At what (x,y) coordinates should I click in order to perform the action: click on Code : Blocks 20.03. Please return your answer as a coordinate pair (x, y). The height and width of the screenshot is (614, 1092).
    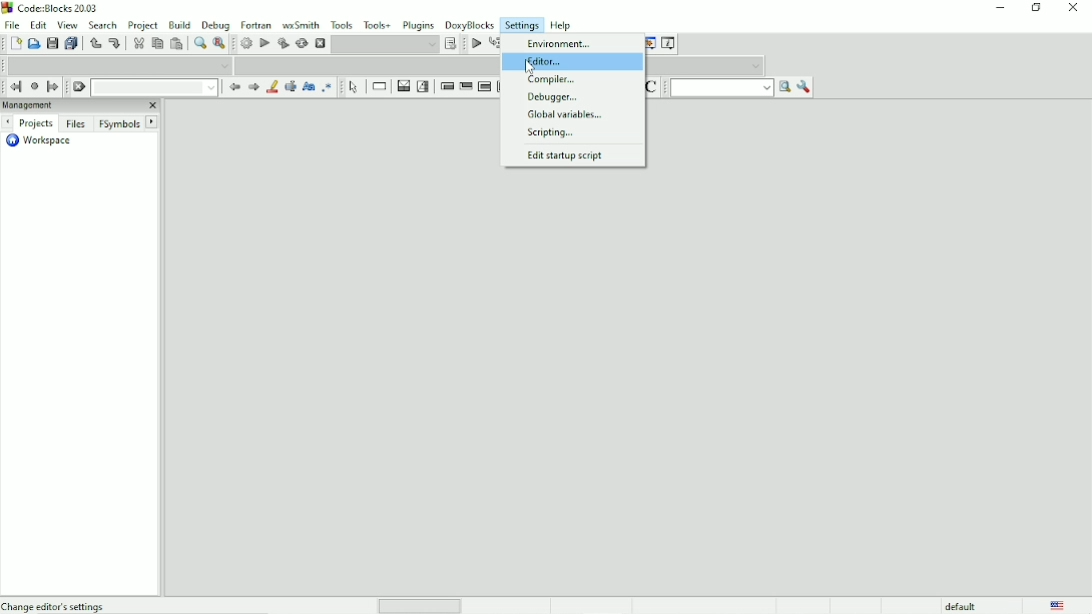
    Looking at the image, I should click on (53, 7).